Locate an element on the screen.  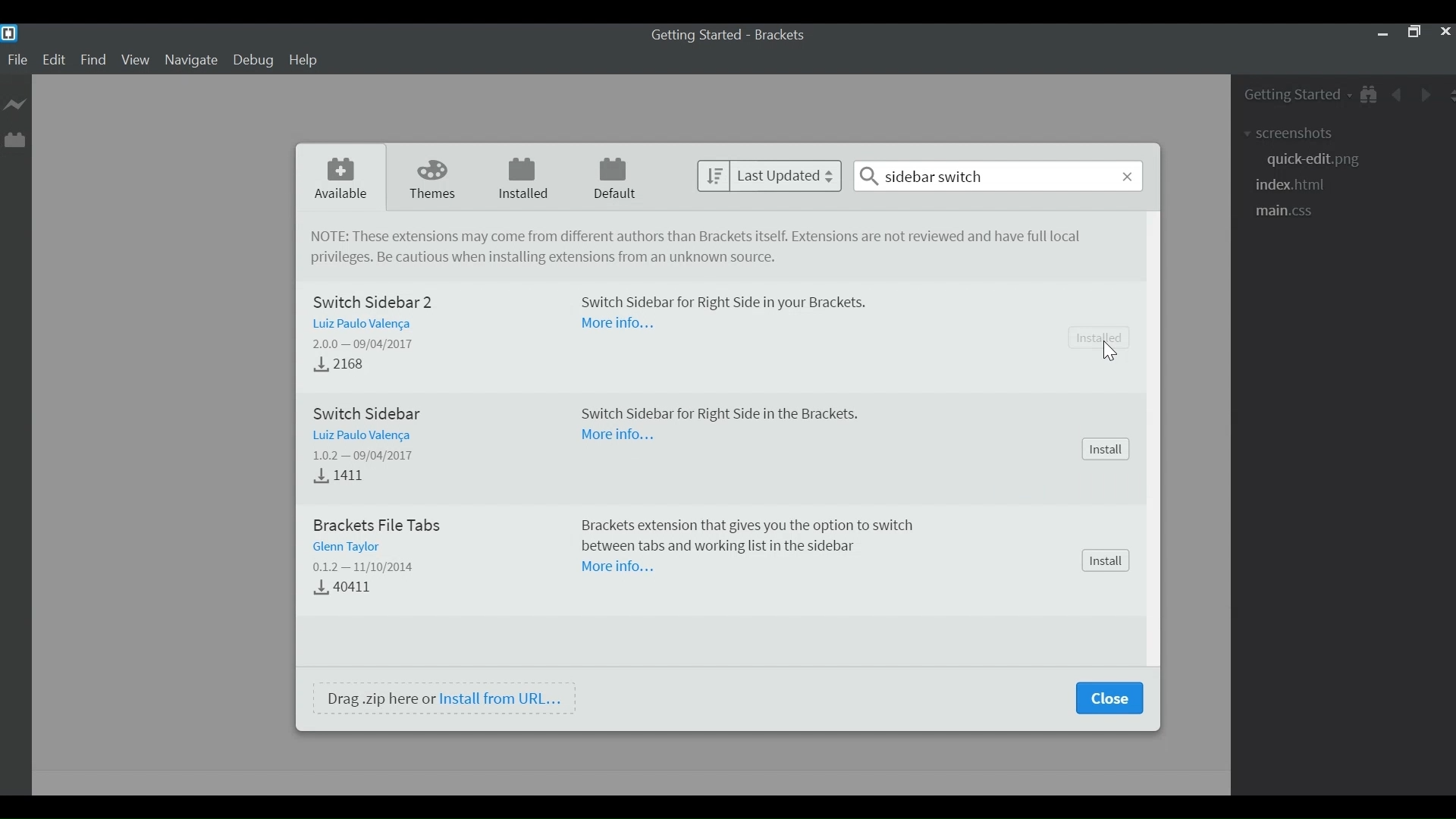
Be cautious when installing extensions from unknown source is located at coordinates (547, 259).